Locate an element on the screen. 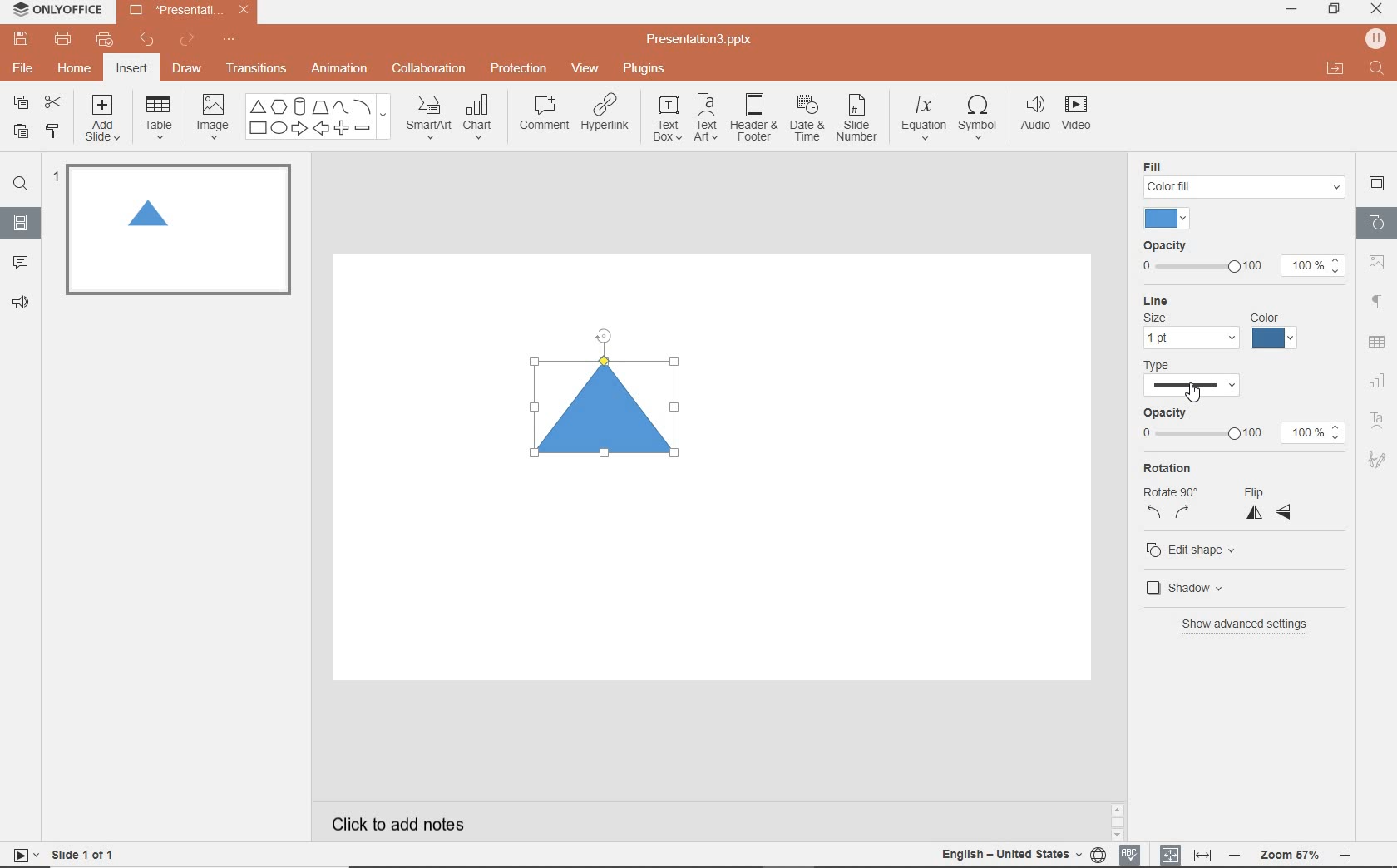  flip is located at coordinates (1269, 505).